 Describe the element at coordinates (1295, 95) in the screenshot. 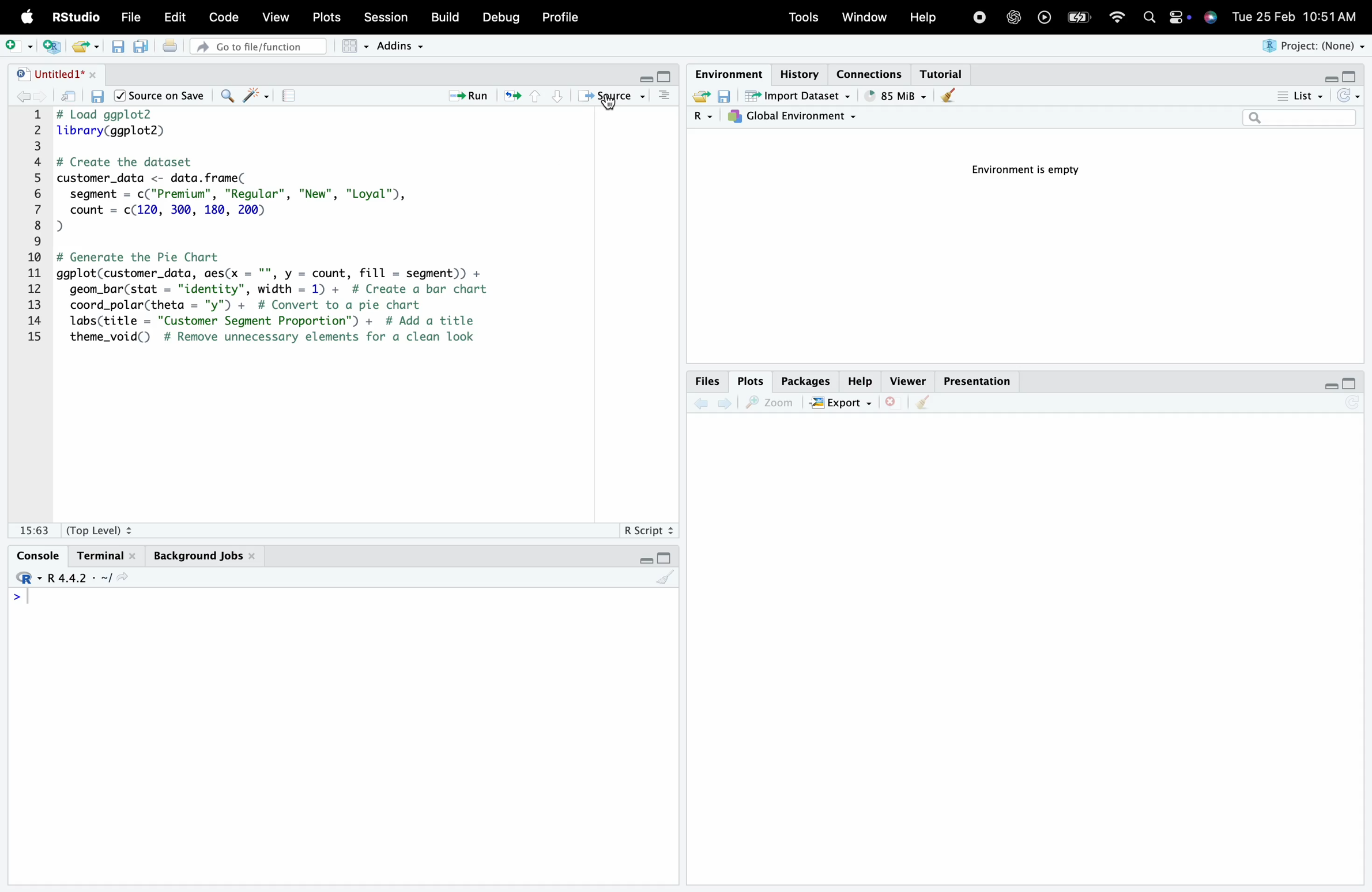

I see `List` at that location.